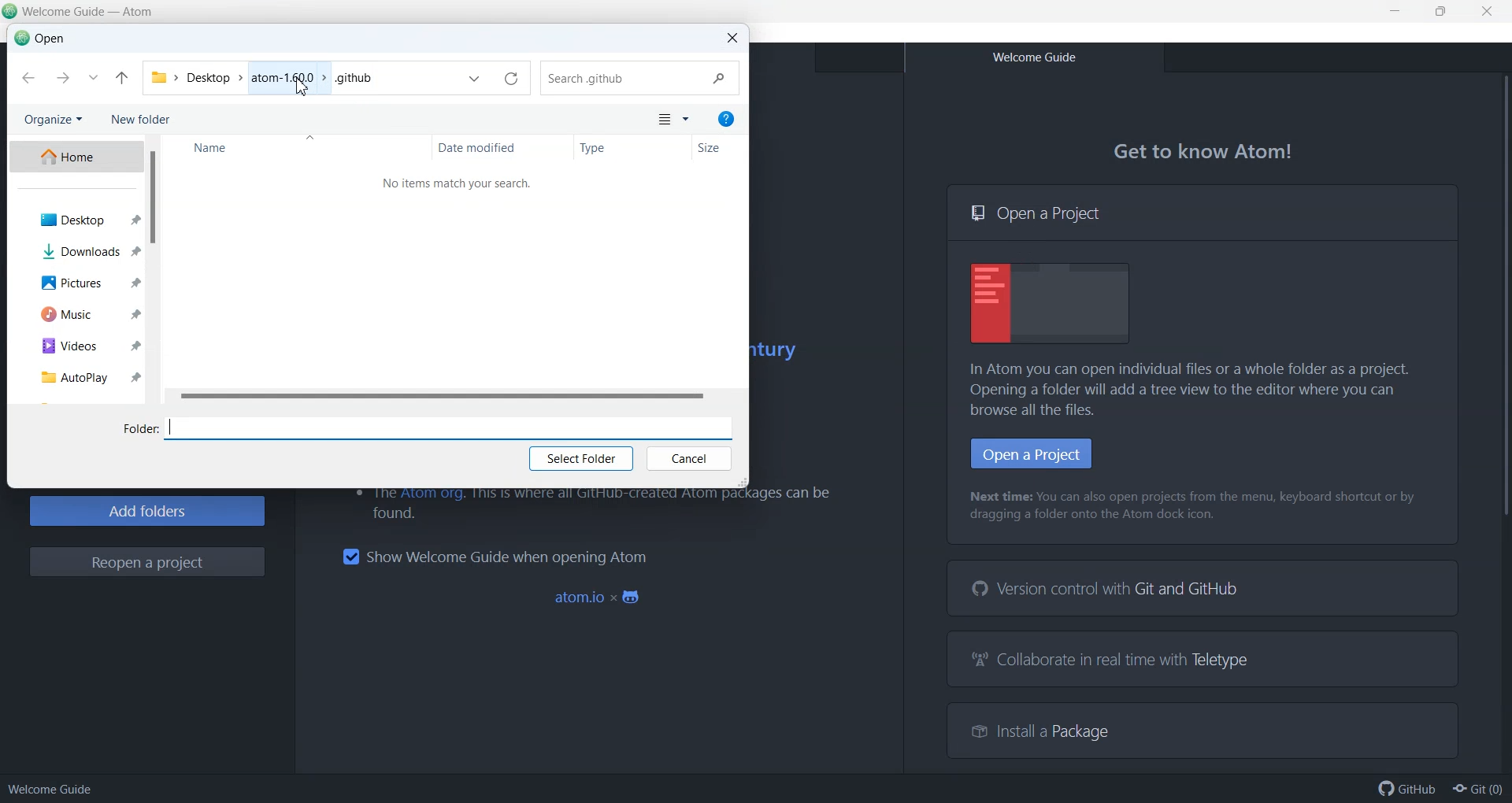 The image size is (1512, 803). I want to click on Welcome guide, so click(50, 789).